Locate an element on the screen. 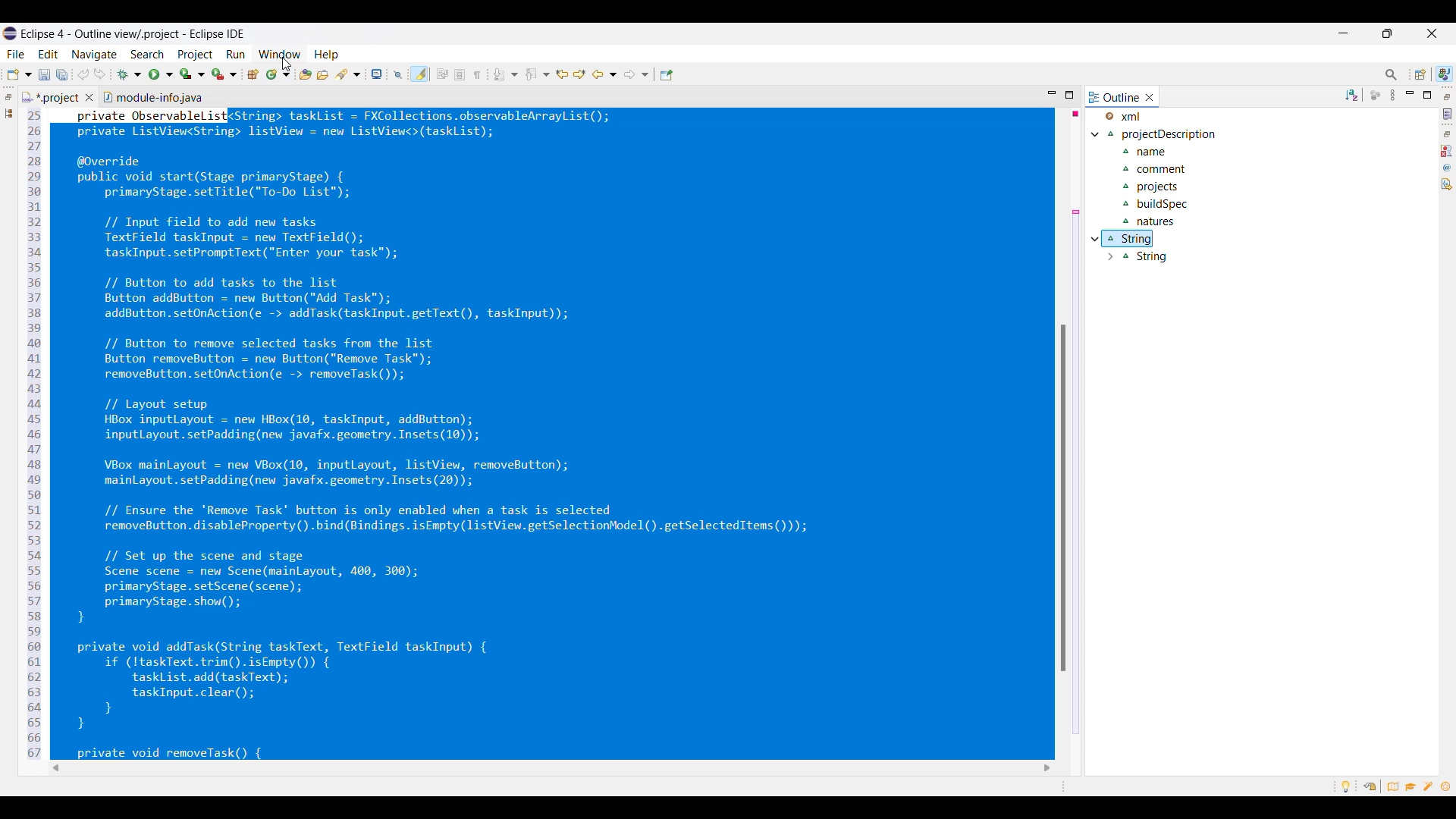 The width and height of the screenshot is (1456, 819). New Java class options is located at coordinates (278, 74).